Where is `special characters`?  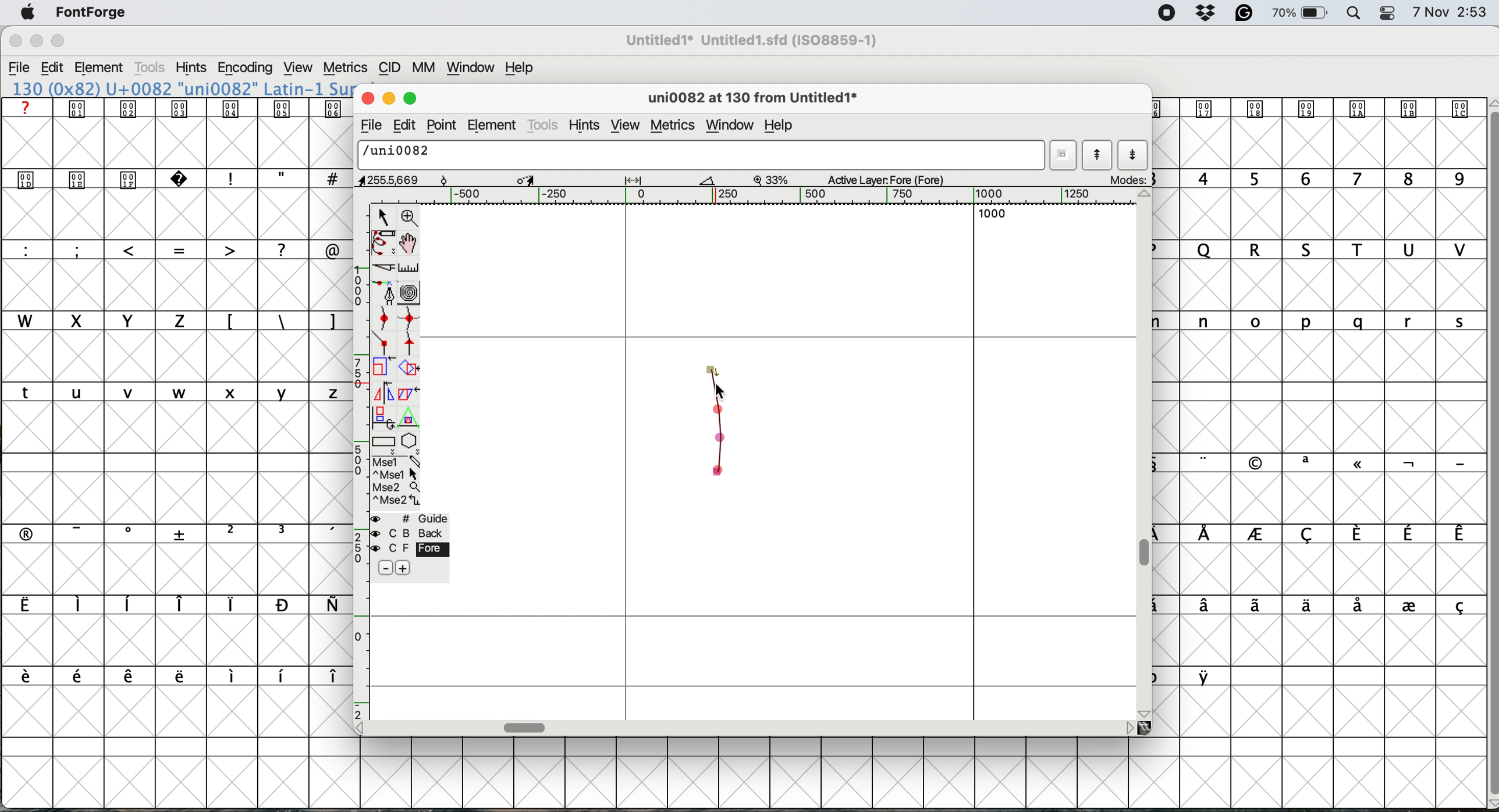
special characters is located at coordinates (1319, 535).